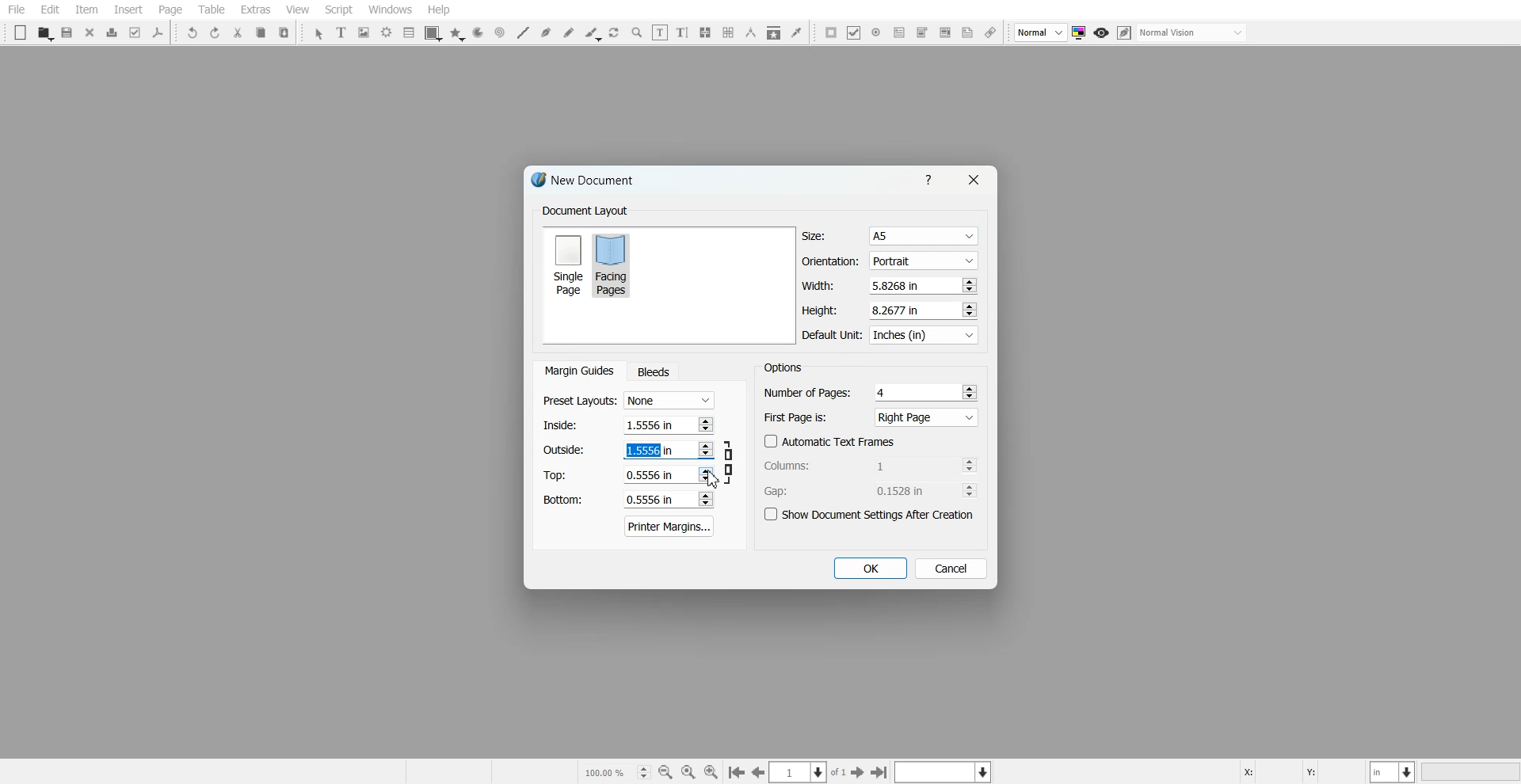 The height and width of the screenshot is (784, 1521). Describe the element at coordinates (688, 771) in the screenshot. I see `Zoom to 100%` at that location.